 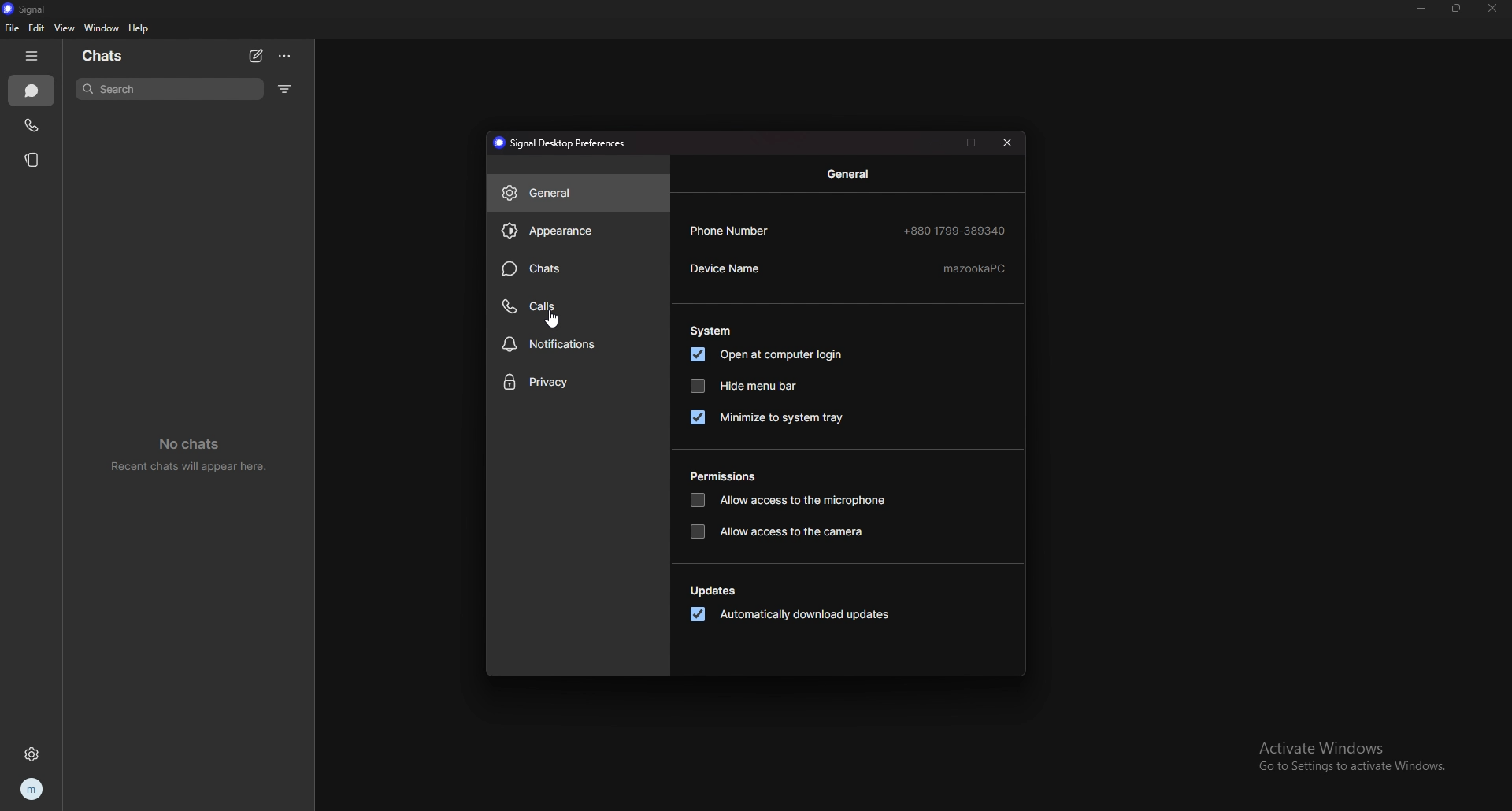 I want to click on allow access to the microphone, so click(x=788, y=500).